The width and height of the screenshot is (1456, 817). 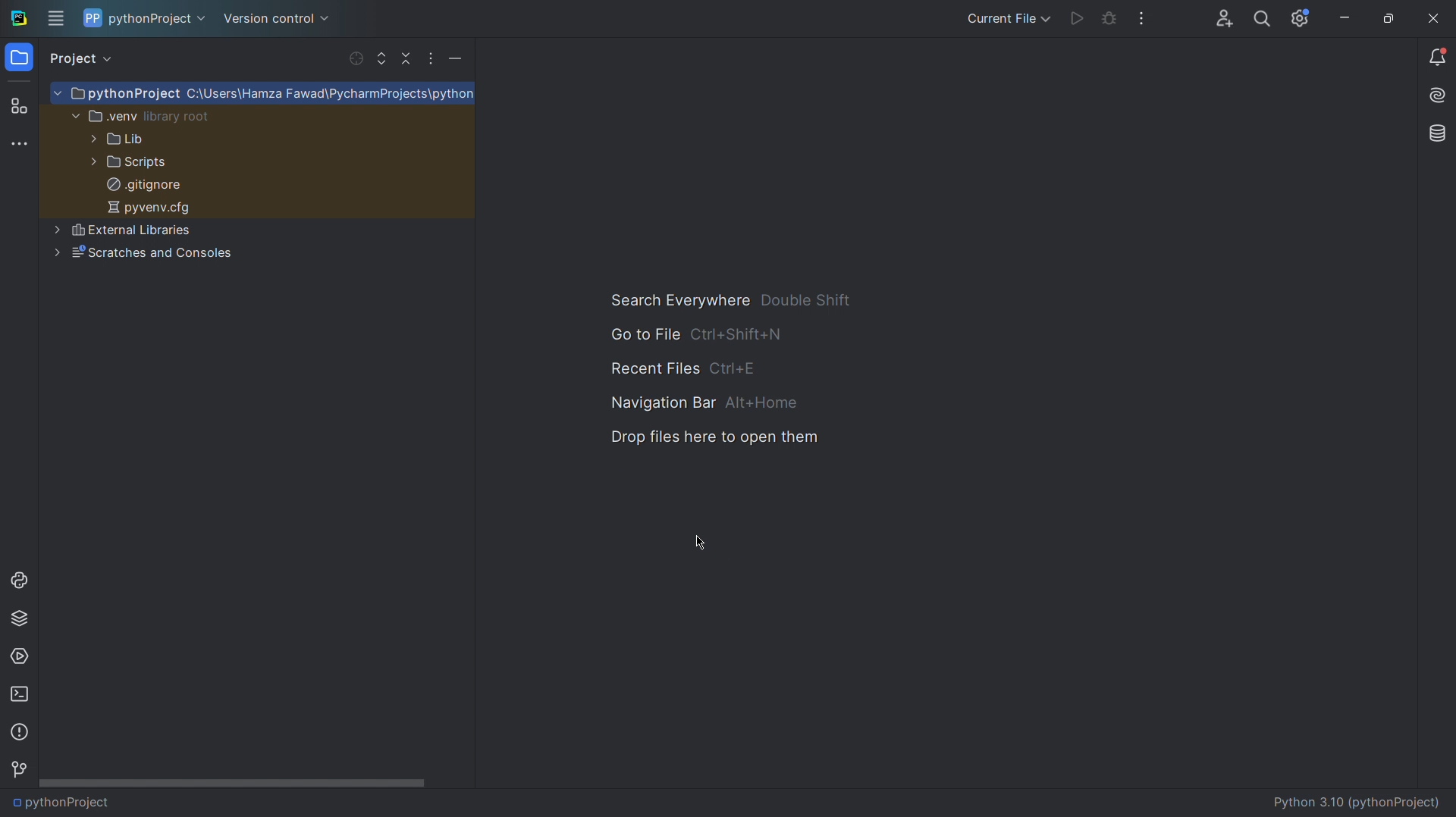 I want to click on Scrathes and console, so click(x=143, y=255).